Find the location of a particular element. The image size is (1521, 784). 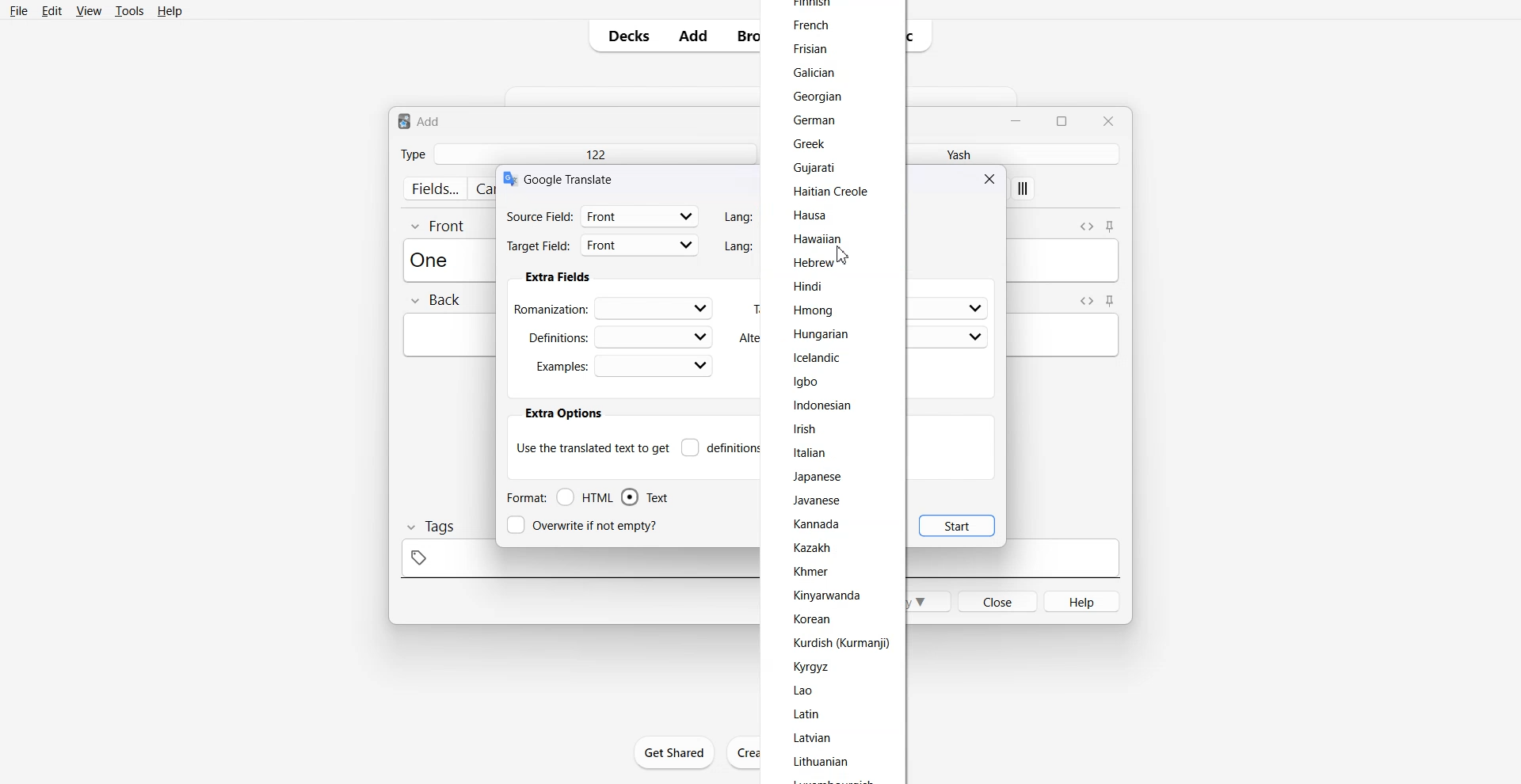

Definations is located at coordinates (618, 336).